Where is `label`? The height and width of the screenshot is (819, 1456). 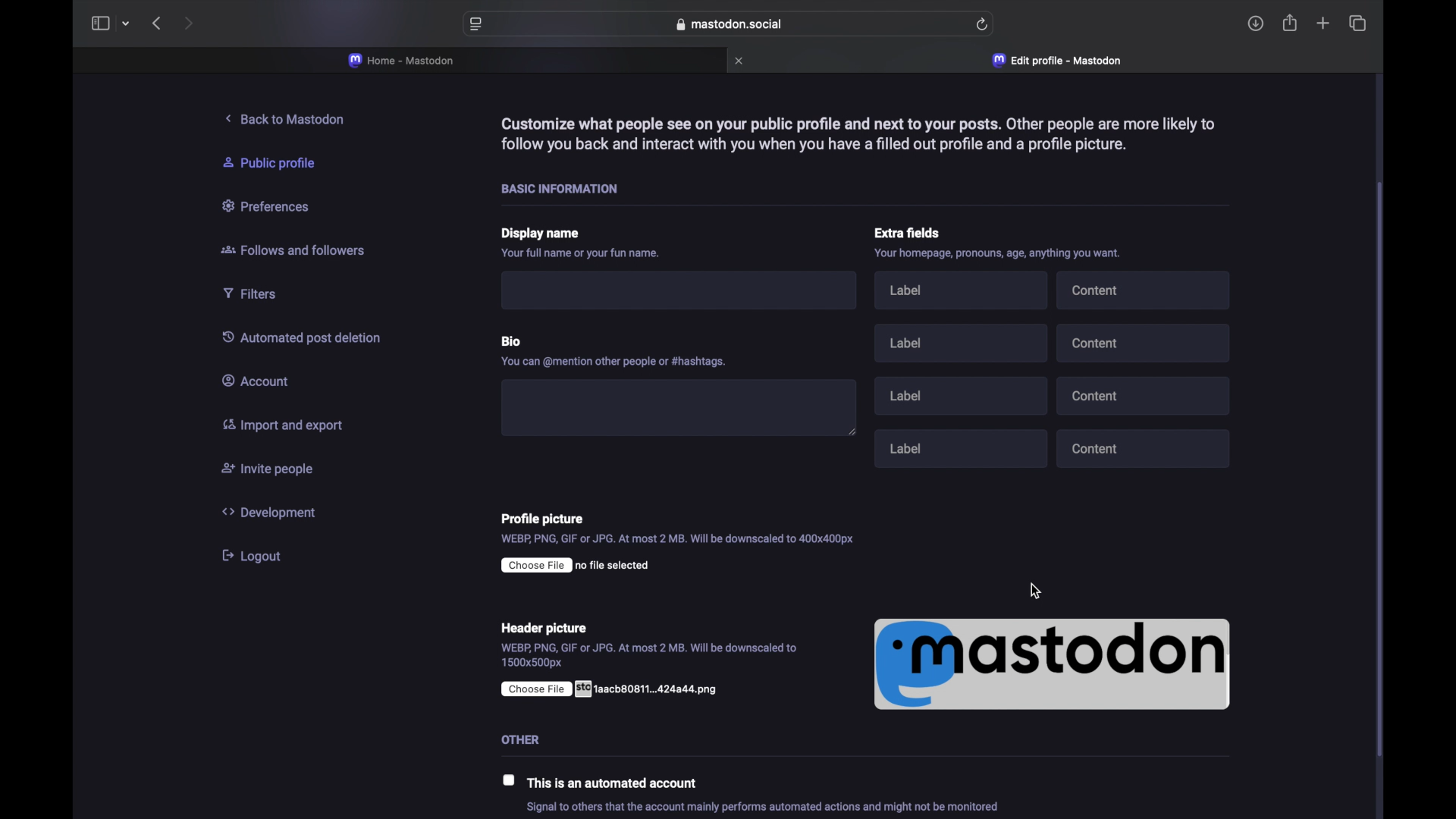
label is located at coordinates (963, 446).